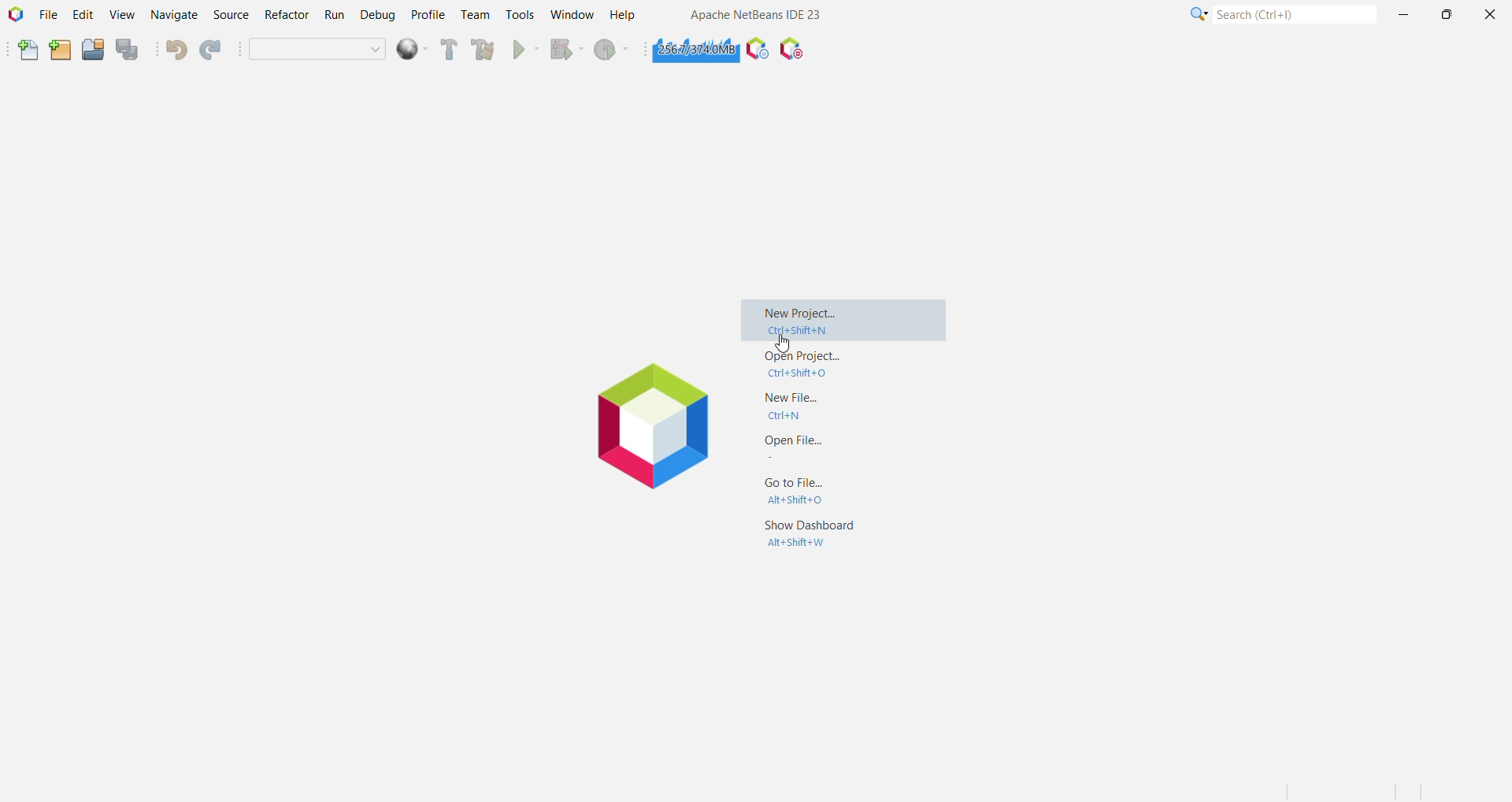 Image resolution: width=1512 pixels, height=802 pixels. What do you see at coordinates (447, 51) in the screenshot?
I see `Build Project` at bounding box center [447, 51].